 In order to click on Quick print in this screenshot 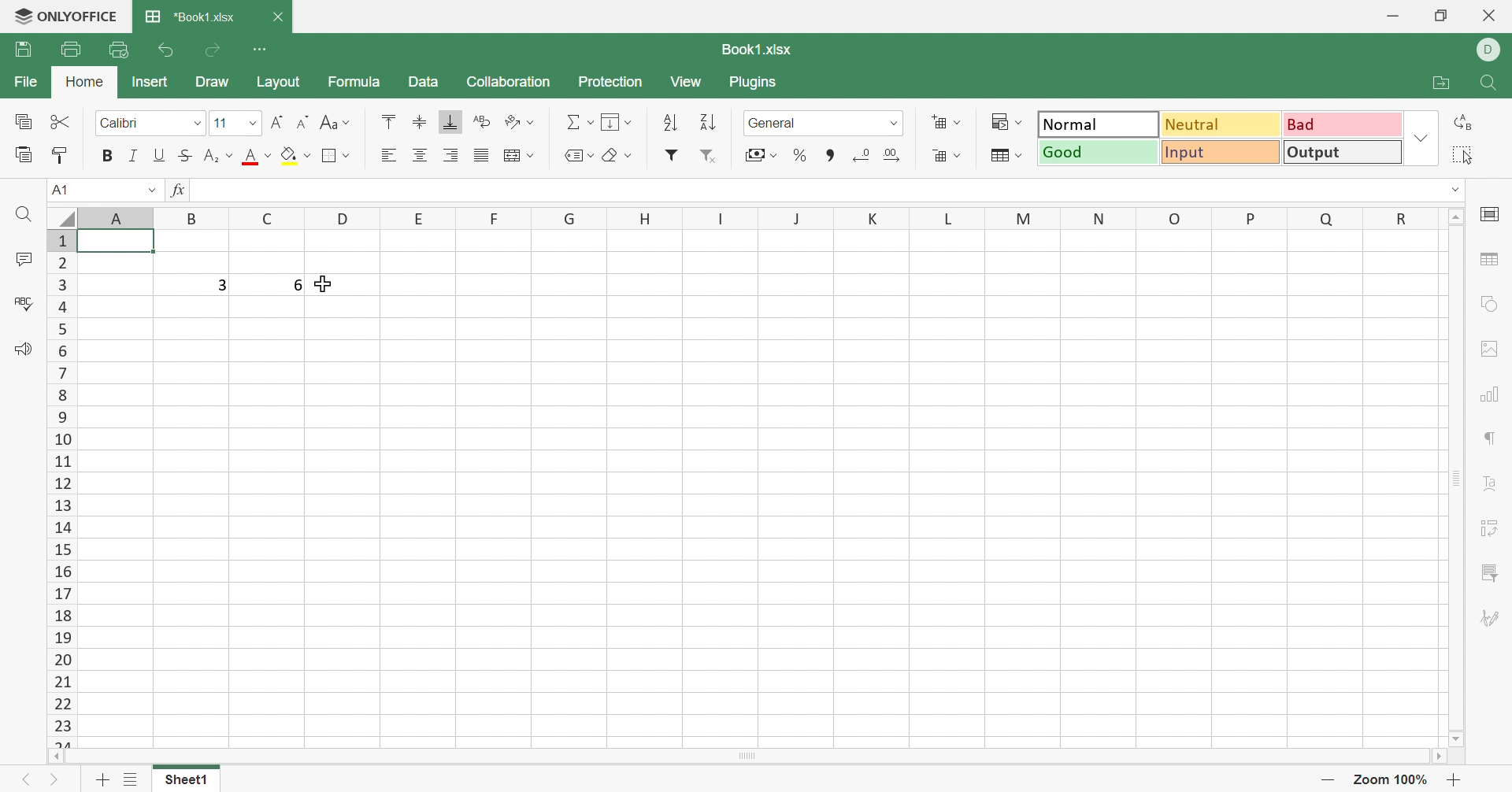, I will do `click(120, 46)`.